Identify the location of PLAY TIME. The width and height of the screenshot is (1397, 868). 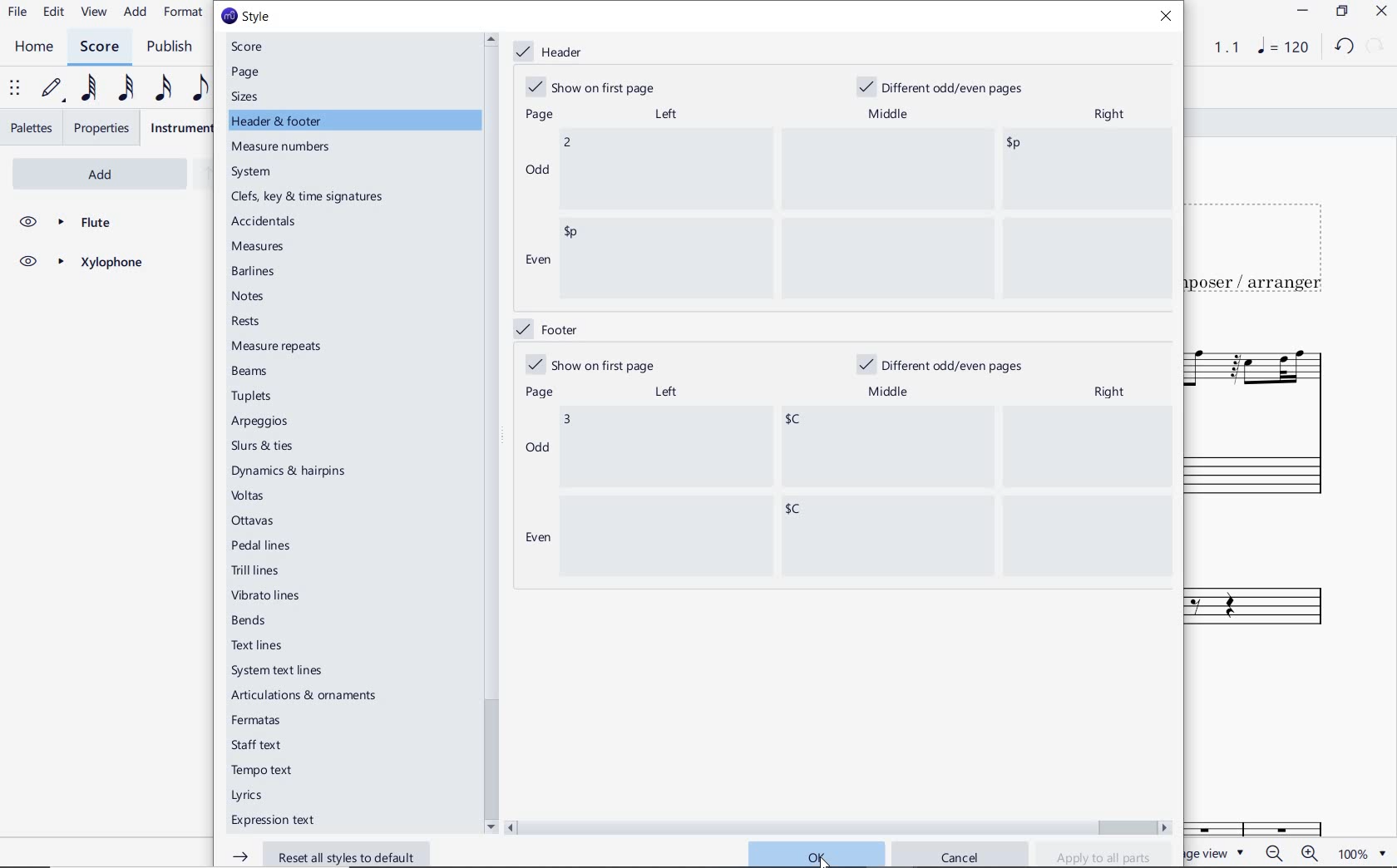
(1217, 47).